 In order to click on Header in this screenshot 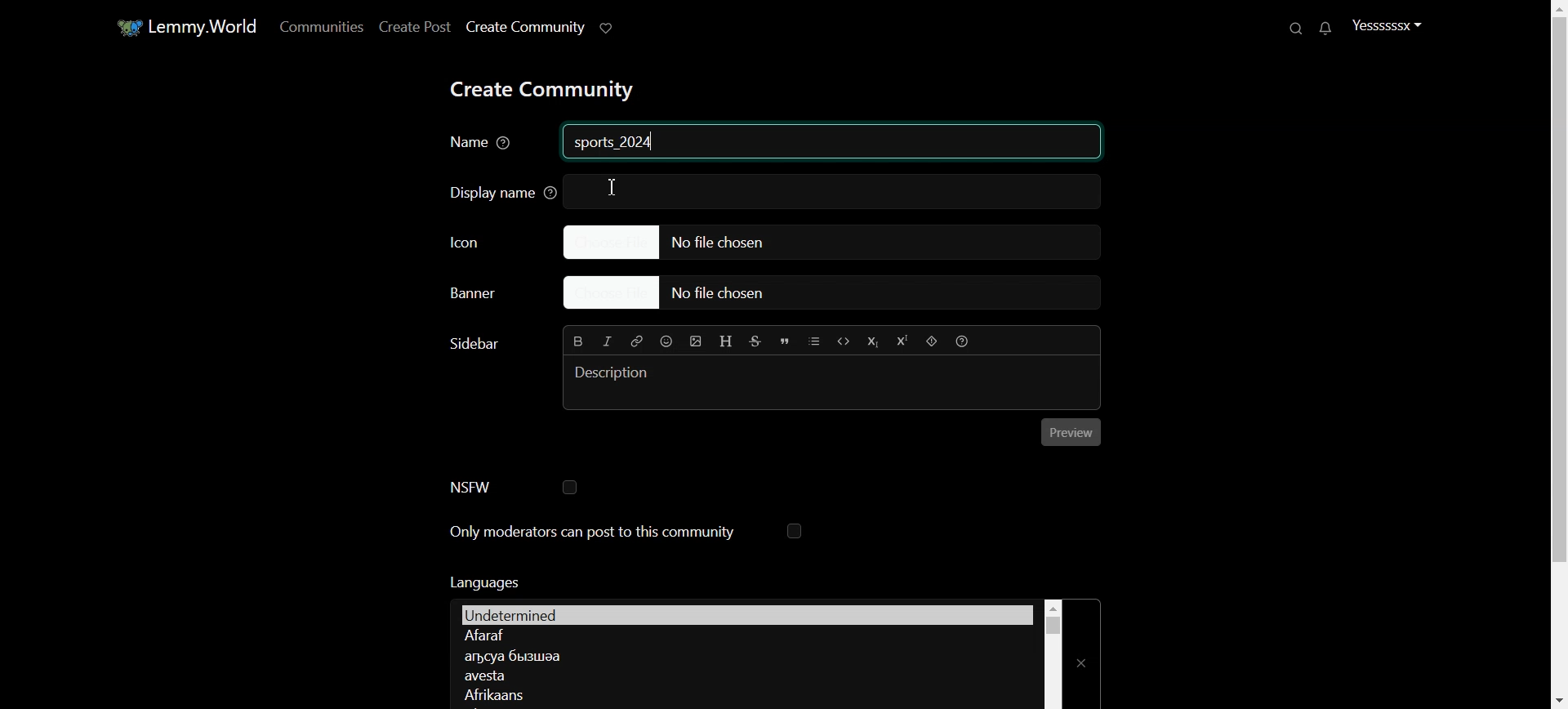, I will do `click(727, 342)`.